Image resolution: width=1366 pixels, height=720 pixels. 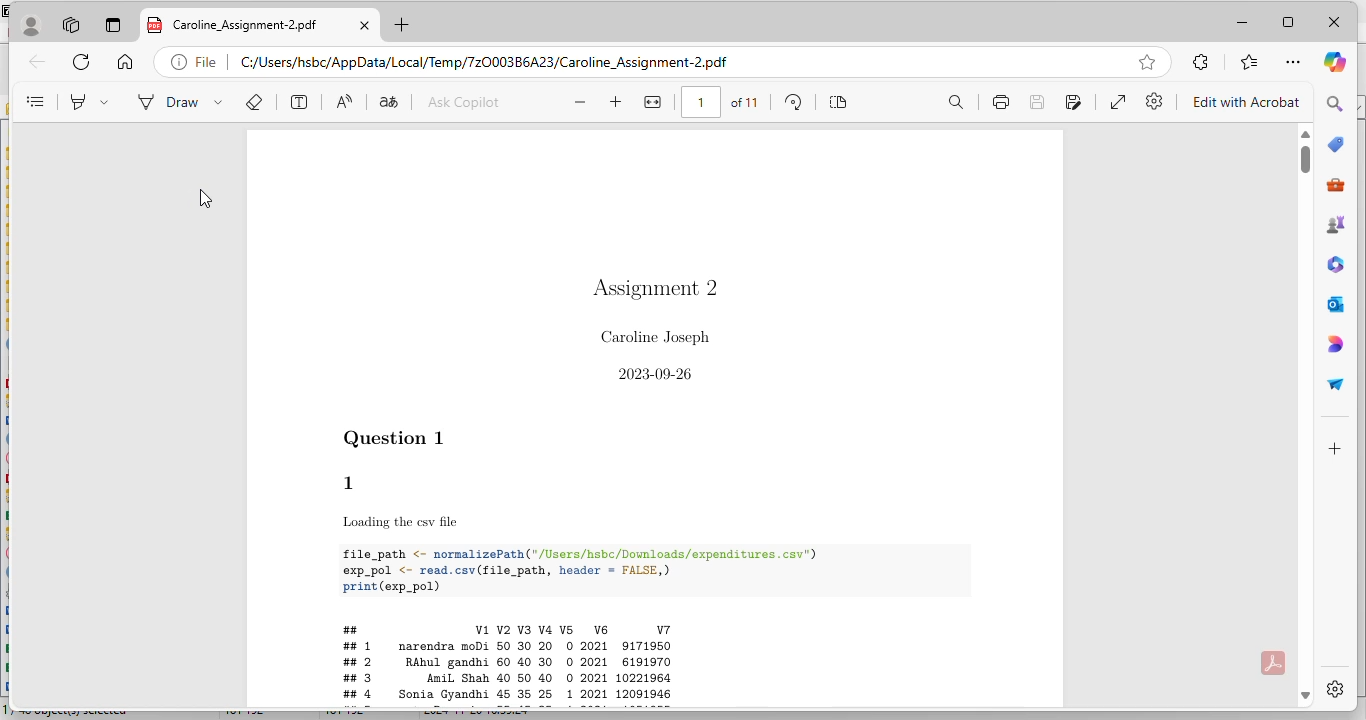 What do you see at coordinates (402, 24) in the screenshot?
I see `new tab` at bounding box center [402, 24].